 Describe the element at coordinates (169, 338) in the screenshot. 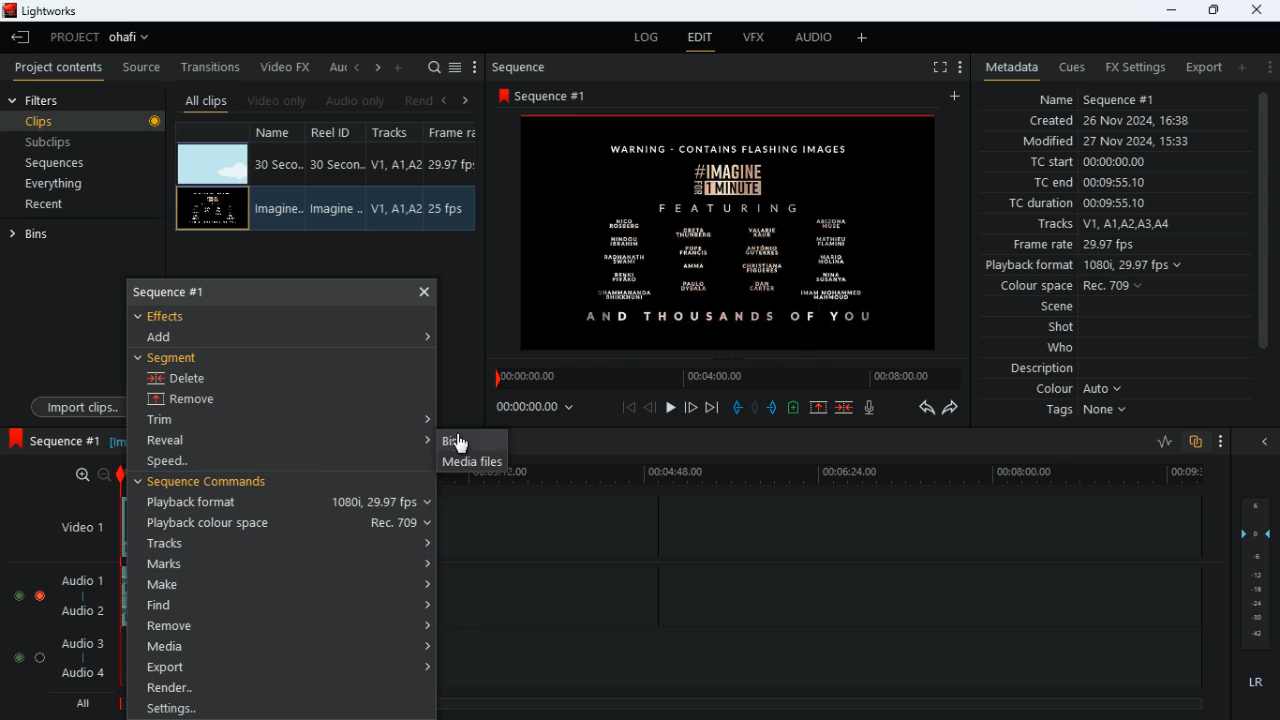

I see `add` at that location.